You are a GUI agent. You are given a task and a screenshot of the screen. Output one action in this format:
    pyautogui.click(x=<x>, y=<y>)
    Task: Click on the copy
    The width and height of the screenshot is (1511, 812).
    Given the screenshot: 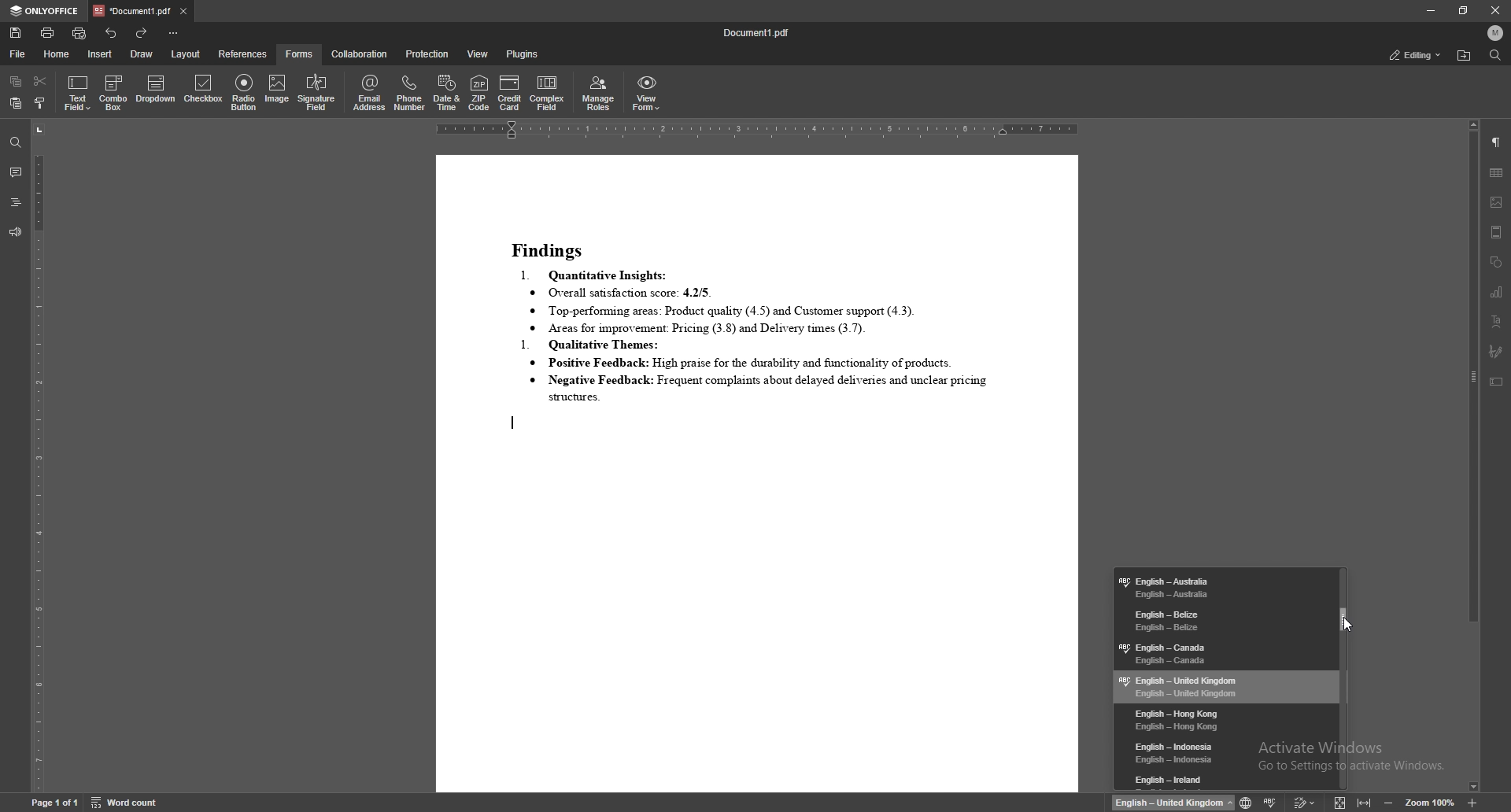 What is the action you would take?
    pyautogui.click(x=16, y=81)
    